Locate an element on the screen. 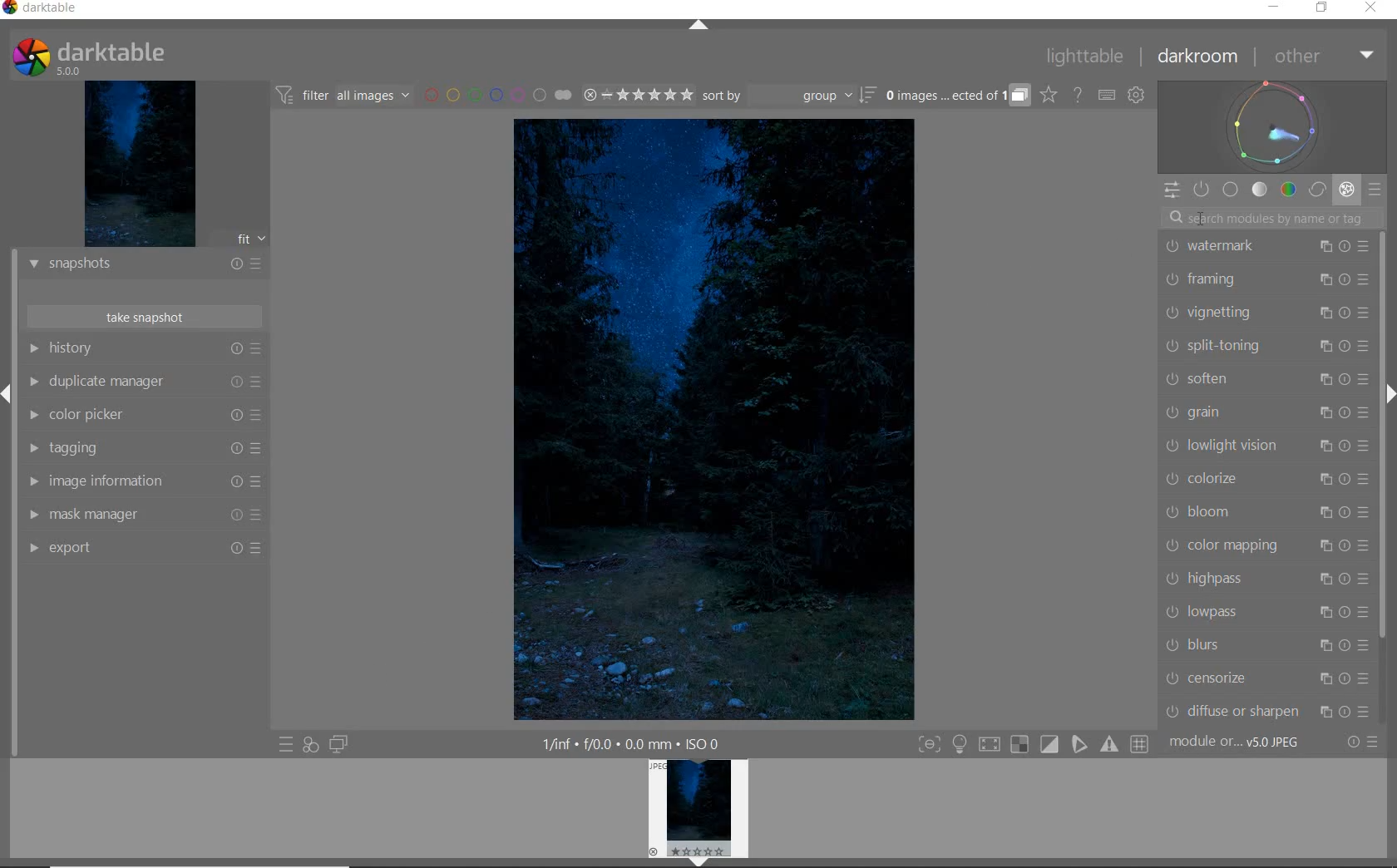 This screenshot has height=868, width=1397. SCROLLBAR is located at coordinates (1385, 300).